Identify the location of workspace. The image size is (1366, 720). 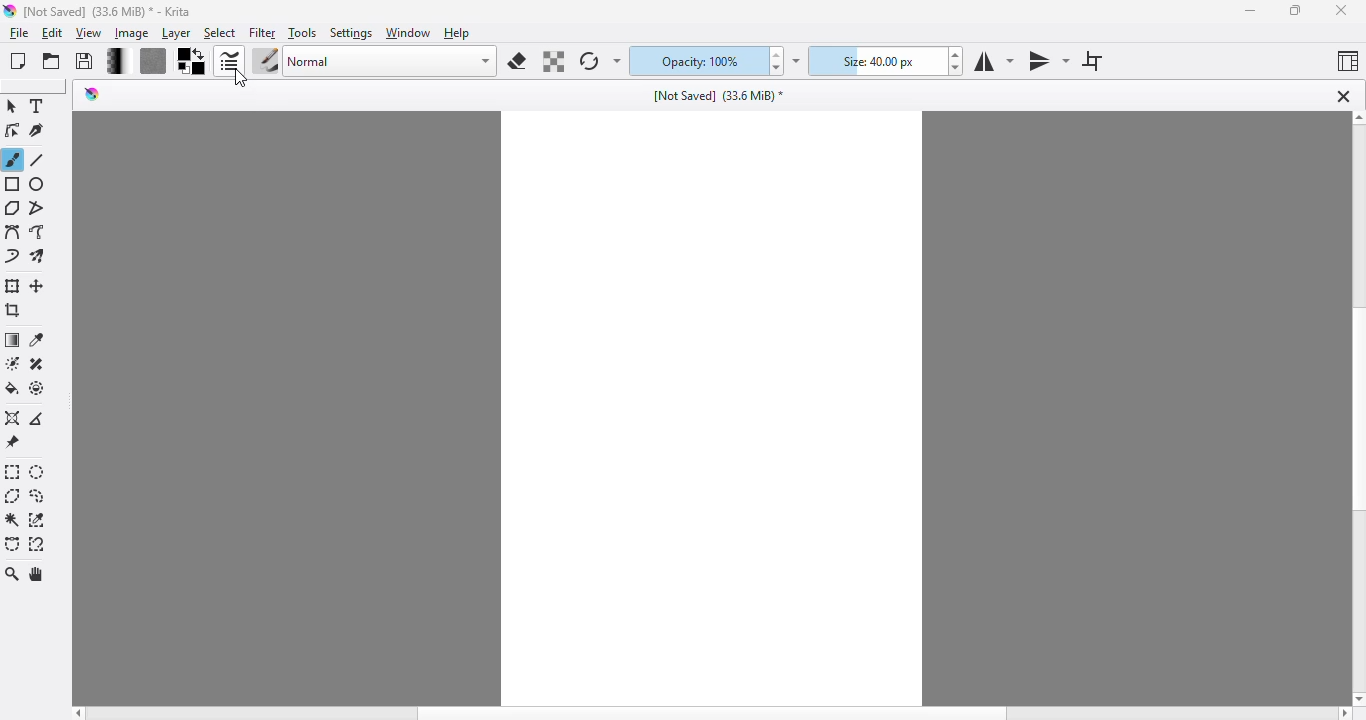
(713, 397).